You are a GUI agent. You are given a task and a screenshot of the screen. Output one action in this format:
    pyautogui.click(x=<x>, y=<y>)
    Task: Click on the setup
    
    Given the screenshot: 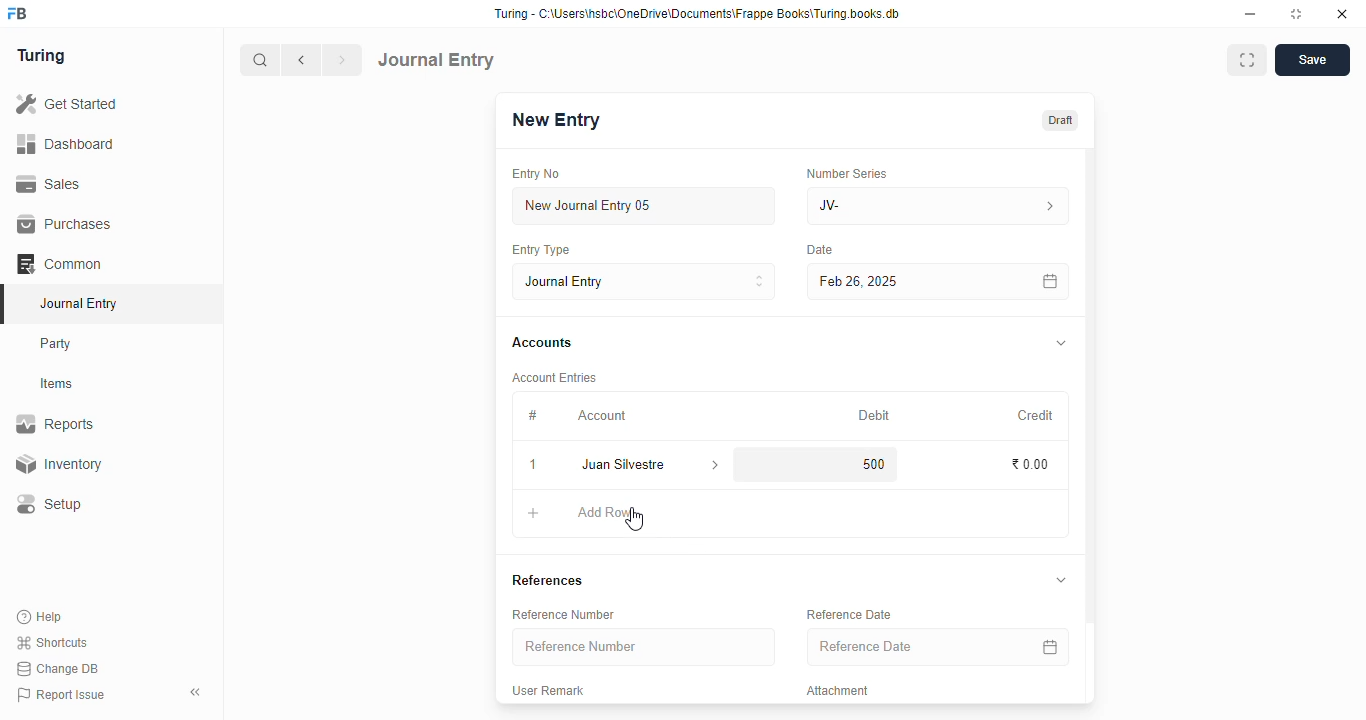 What is the action you would take?
    pyautogui.click(x=51, y=505)
    